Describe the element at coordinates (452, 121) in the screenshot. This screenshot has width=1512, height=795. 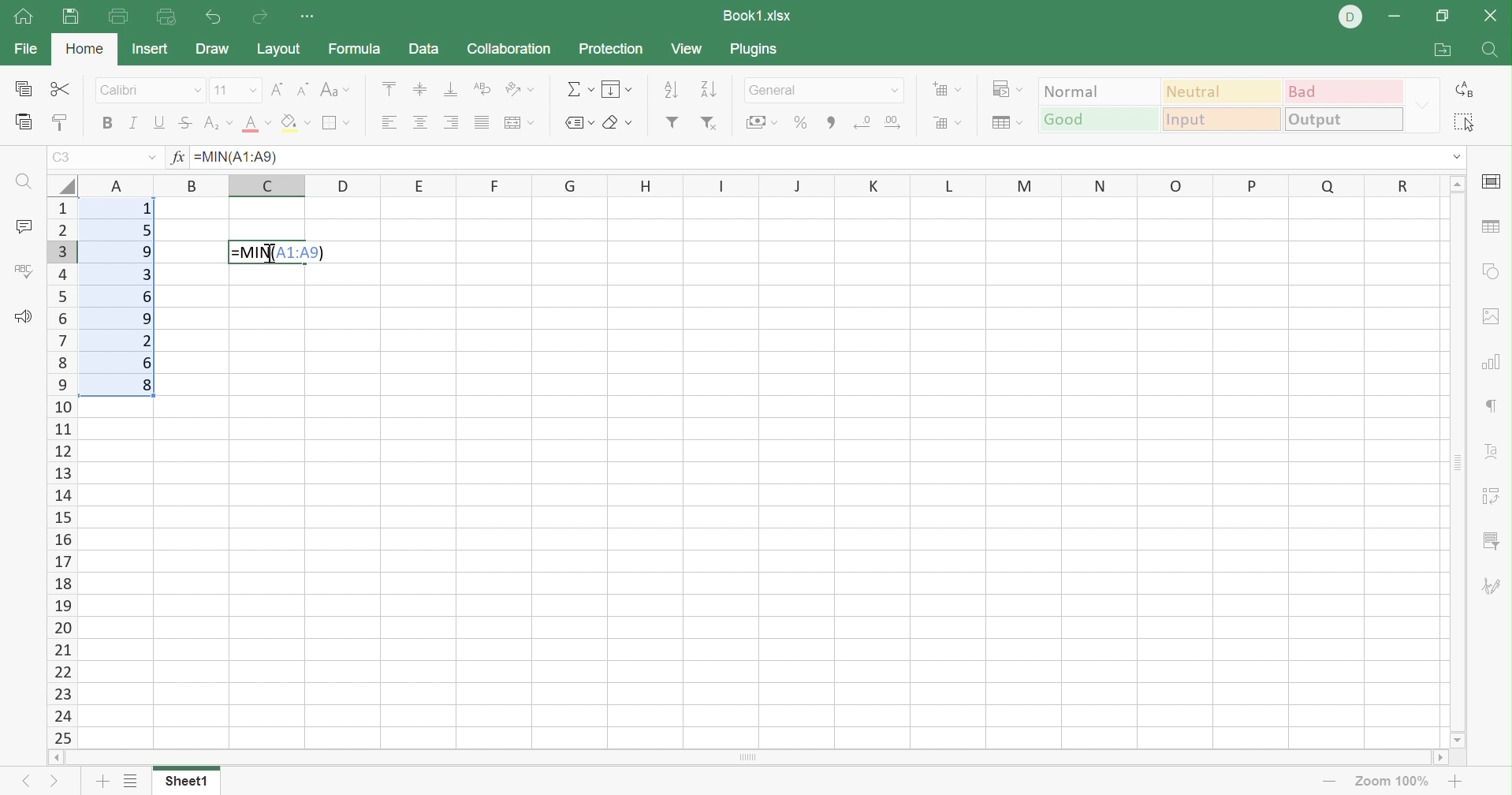
I see `Align Right` at that location.